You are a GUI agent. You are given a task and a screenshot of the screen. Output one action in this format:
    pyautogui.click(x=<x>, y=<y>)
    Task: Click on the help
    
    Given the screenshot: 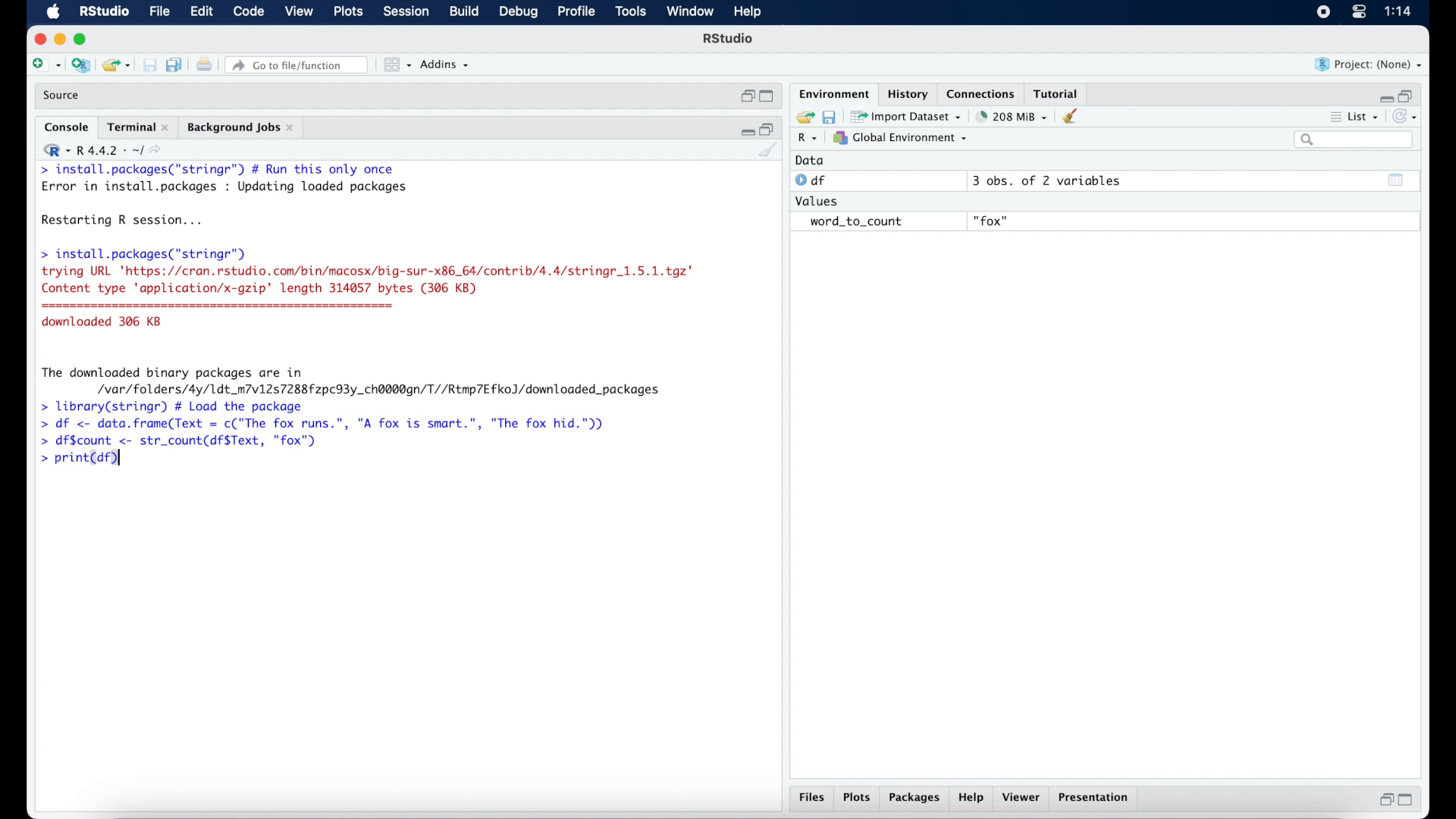 What is the action you would take?
    pyautogui.click(x=750, y=13)
    